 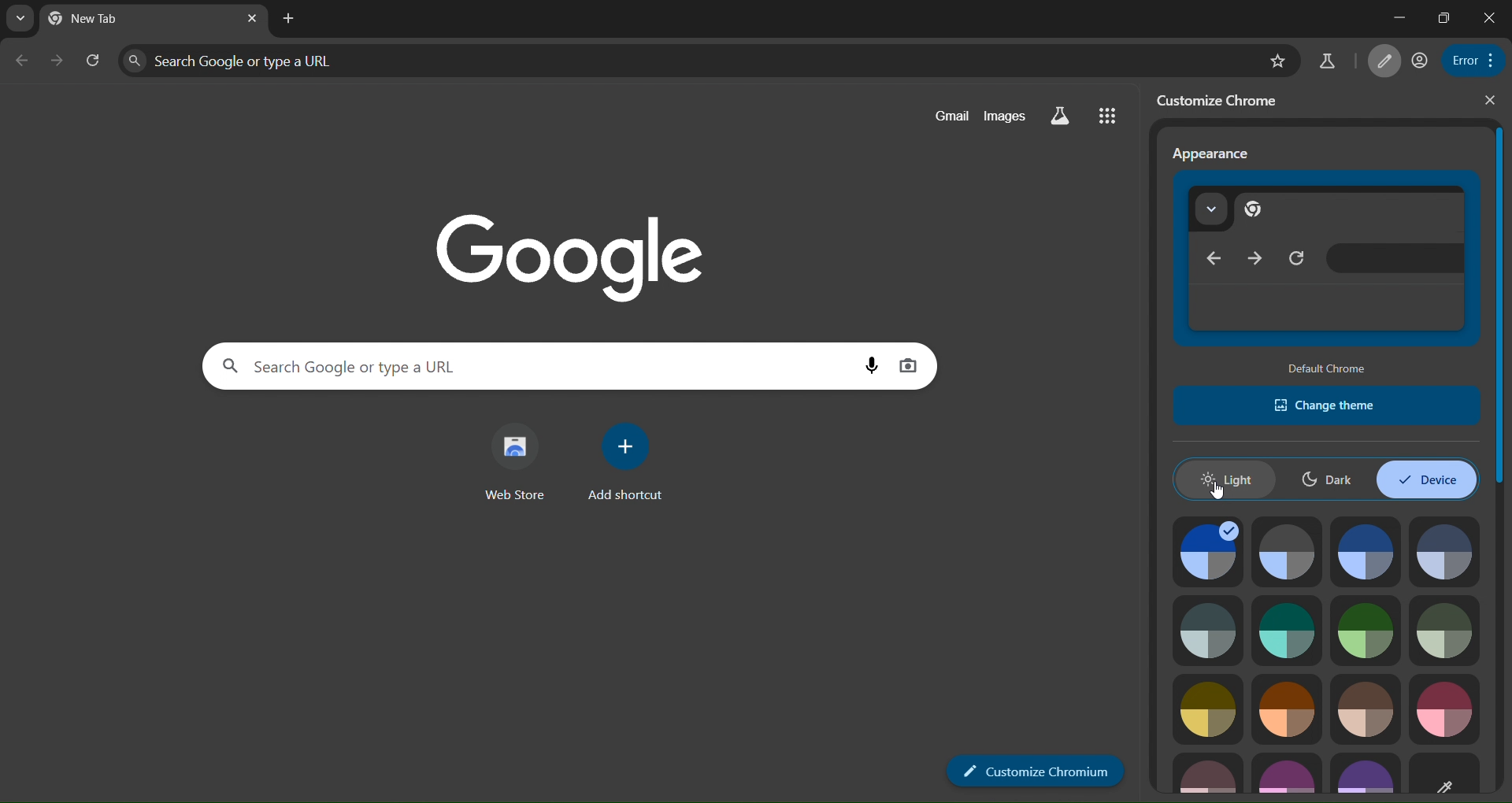 What do you see at coordinates (1110, 115) in the screenshot?
I see `google apps` at bounding box center [1110, 115].